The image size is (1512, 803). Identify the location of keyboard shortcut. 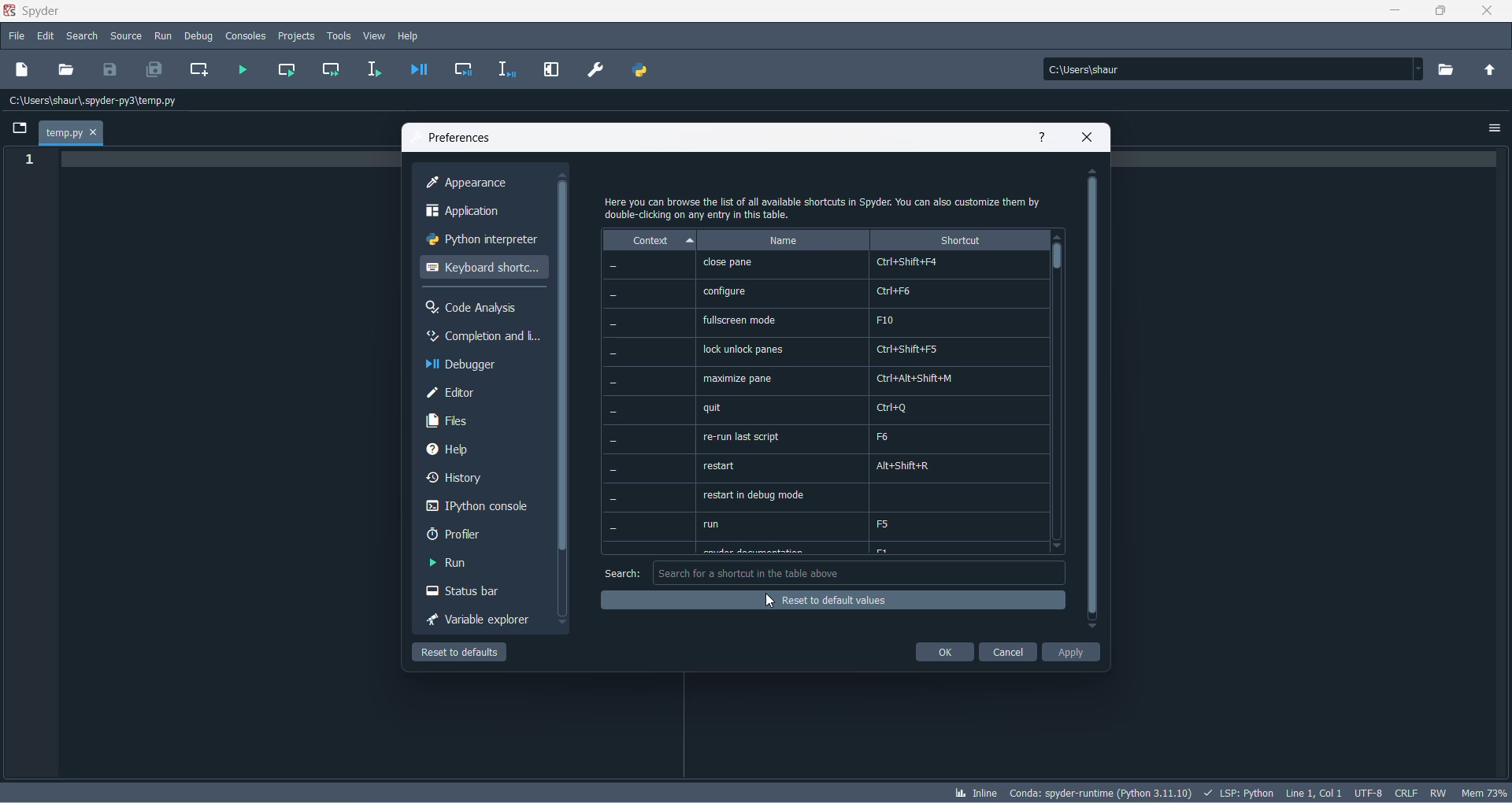
(487, 268).